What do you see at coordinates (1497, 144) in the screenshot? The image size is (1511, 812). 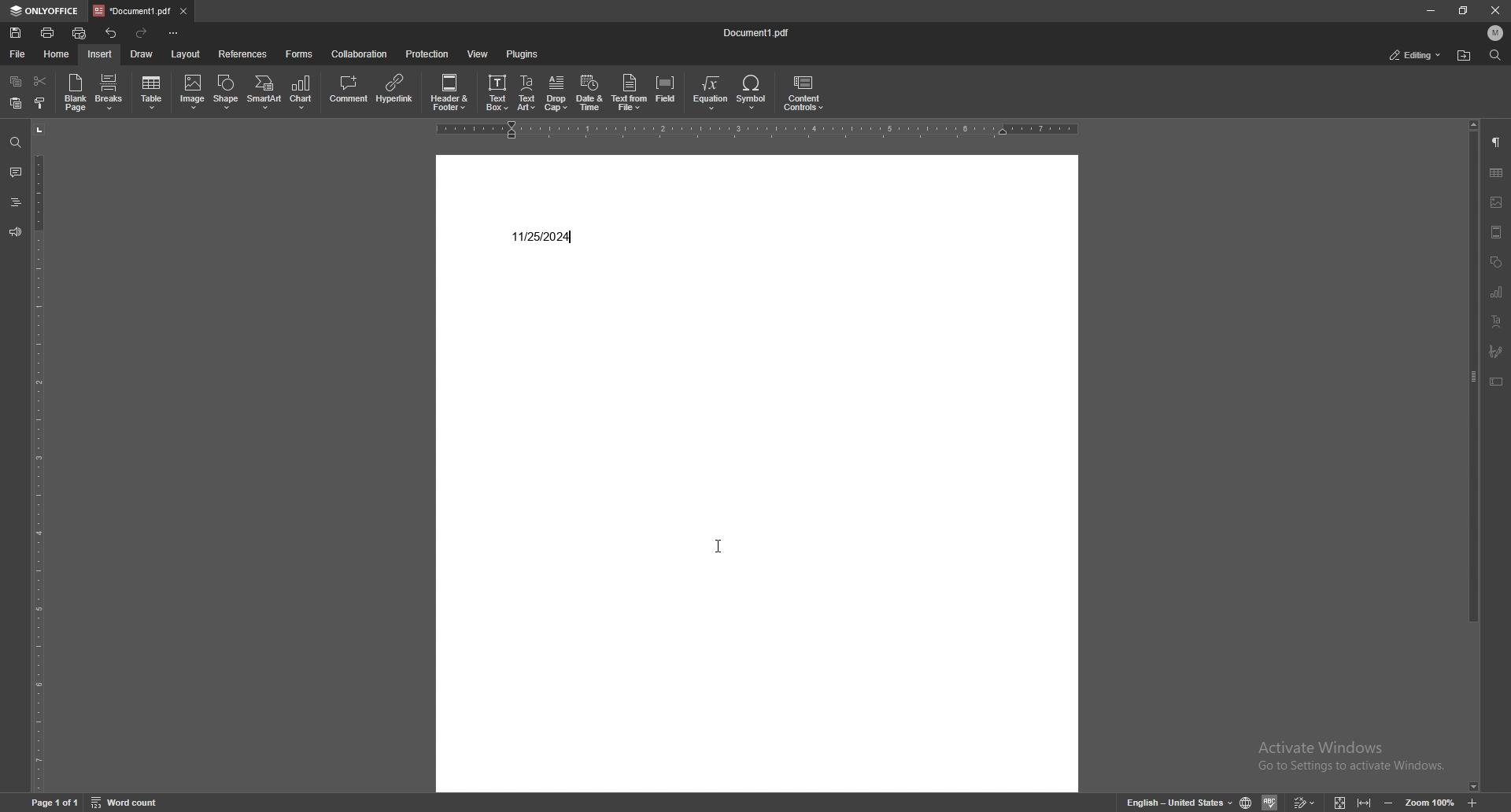 I see `paragraph` at bounding box center [1497, 144].